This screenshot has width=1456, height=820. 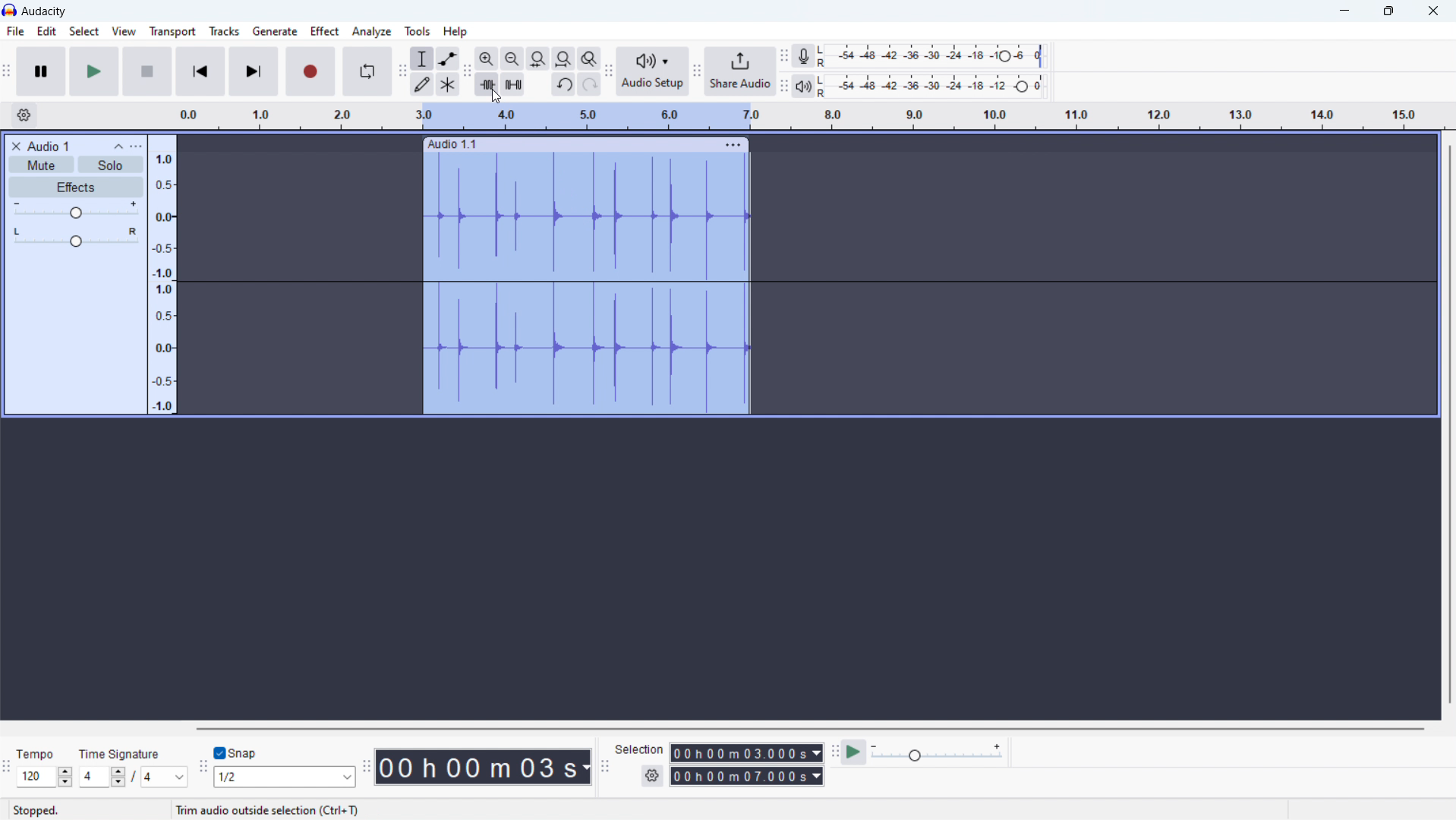 I want to click on timeline settings, so click(x=24, y=115).